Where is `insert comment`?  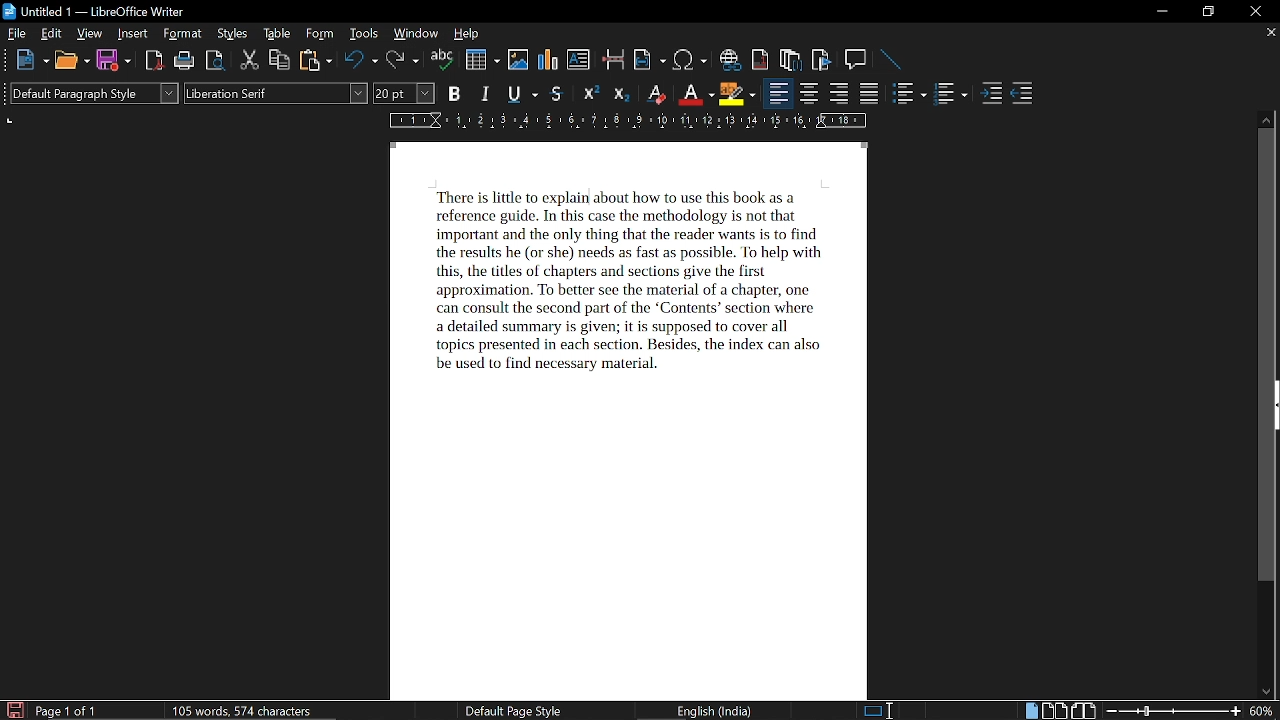
insert comment is located at coordinates (856, 59).